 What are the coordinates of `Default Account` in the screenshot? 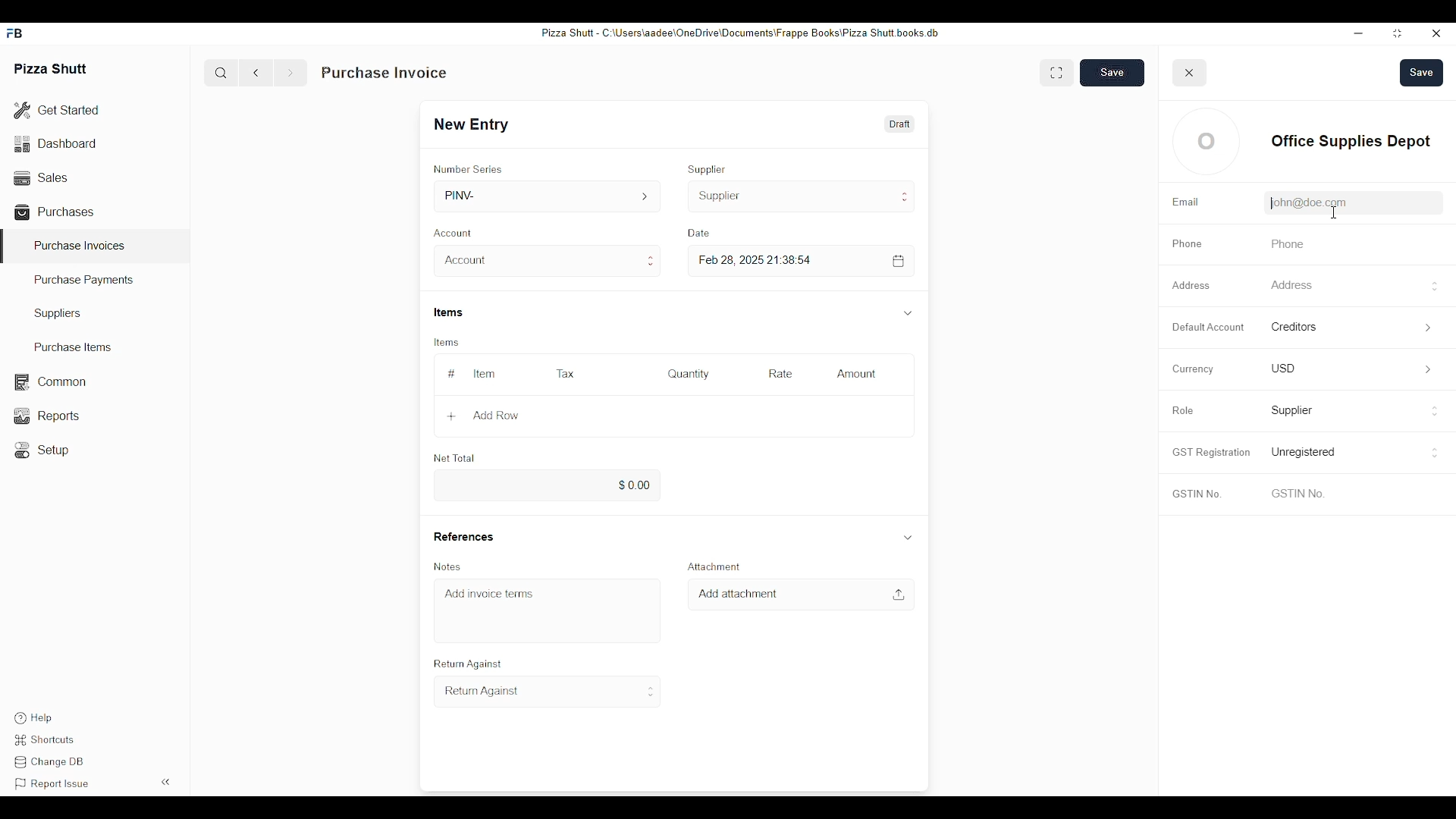 It's located at (1207, 327).